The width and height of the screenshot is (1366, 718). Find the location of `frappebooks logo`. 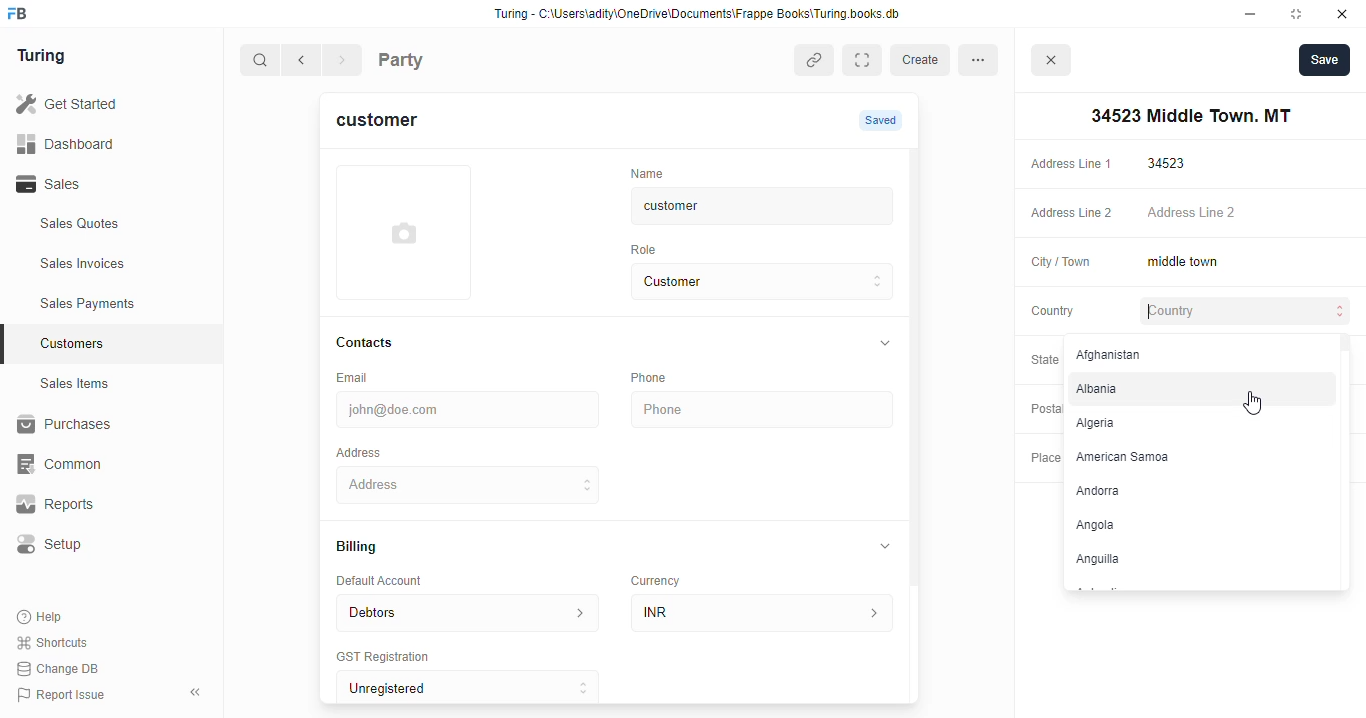

frappebooks logo is located at coordinates (23, 15).